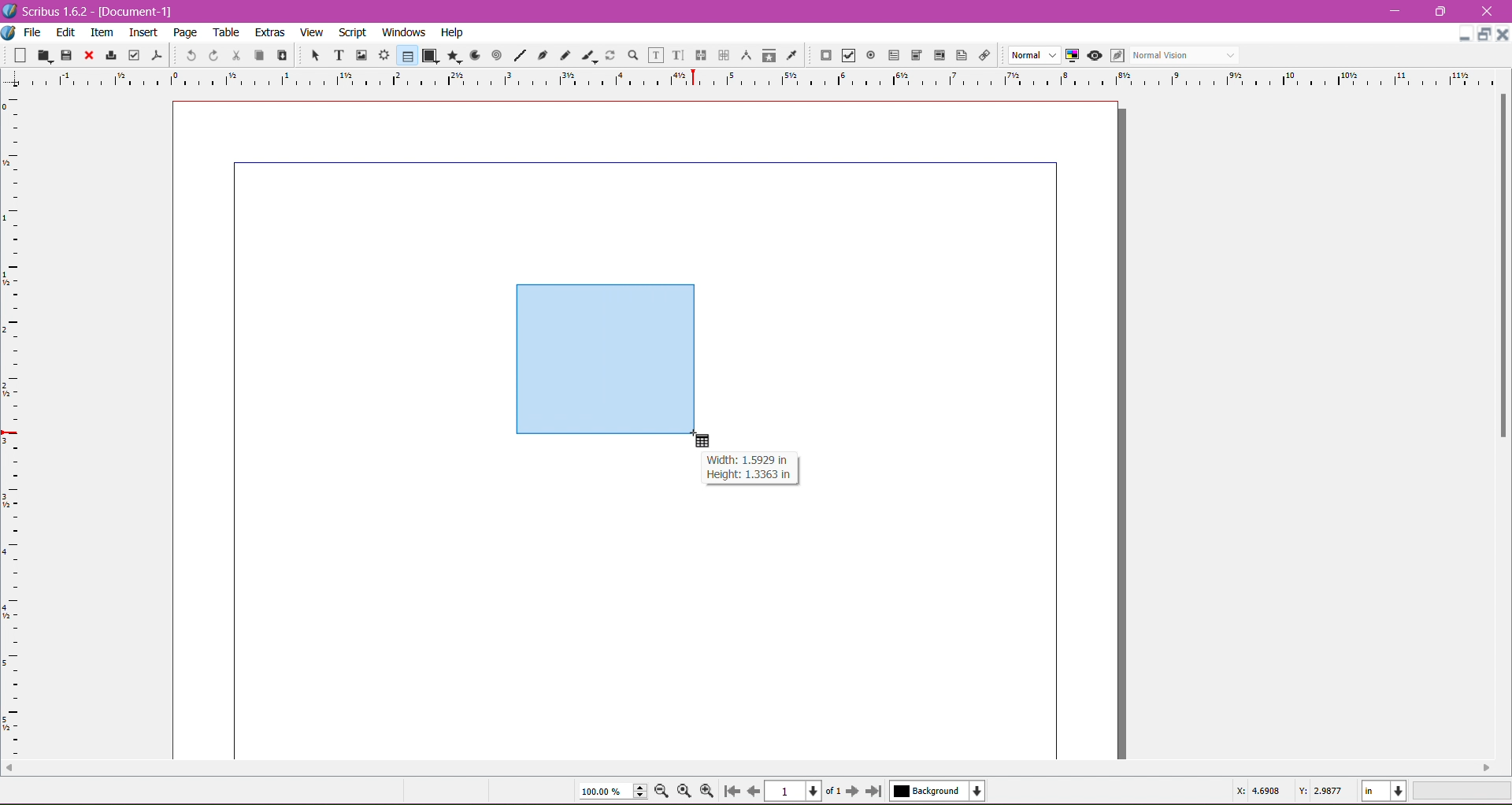 The height and width of the screenshot is (805, 1512). I want to click on Link Annotation, so click(982, 54).